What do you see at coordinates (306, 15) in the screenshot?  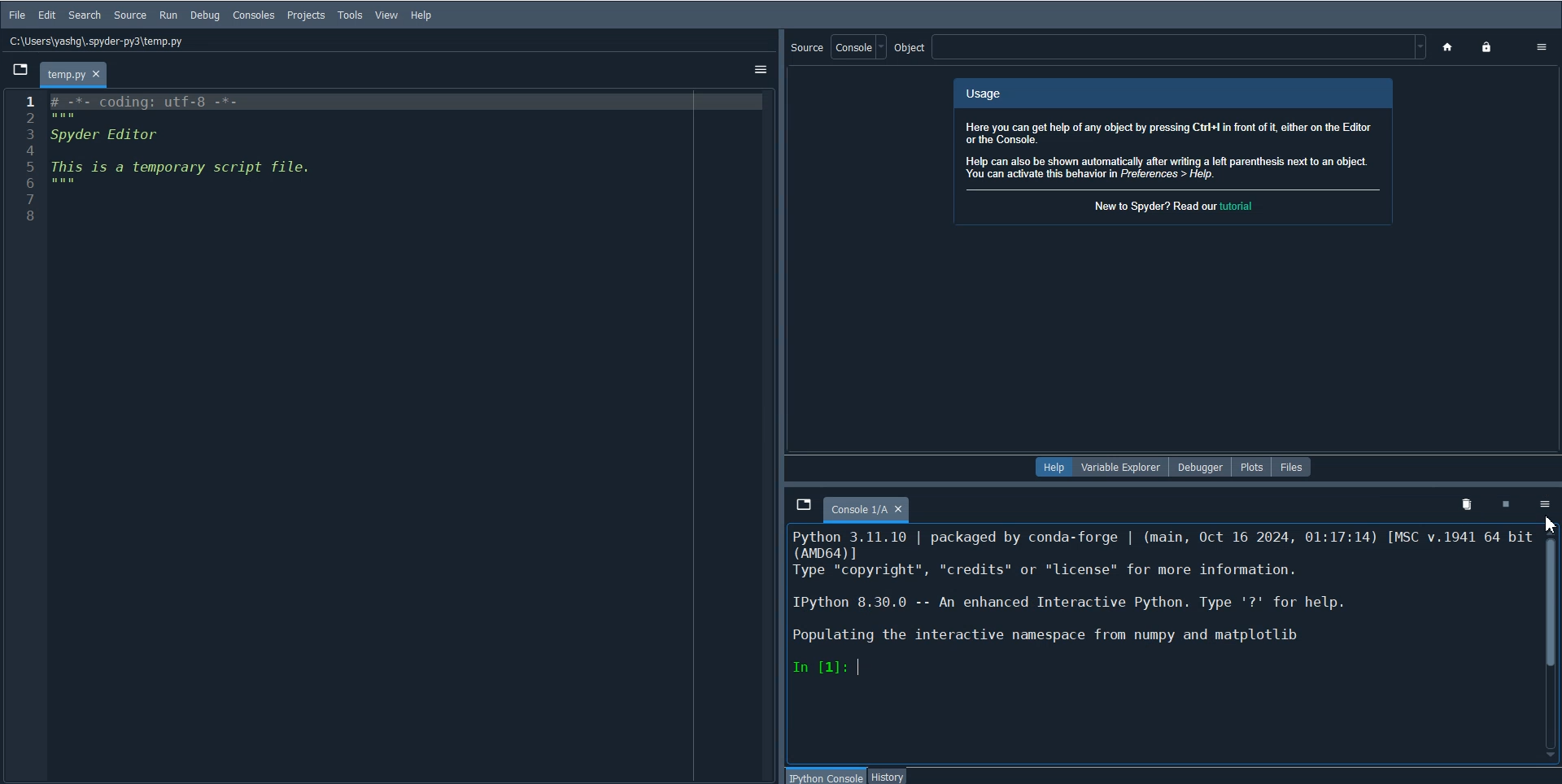 I see `Projects` at bounding box center [306, 15].